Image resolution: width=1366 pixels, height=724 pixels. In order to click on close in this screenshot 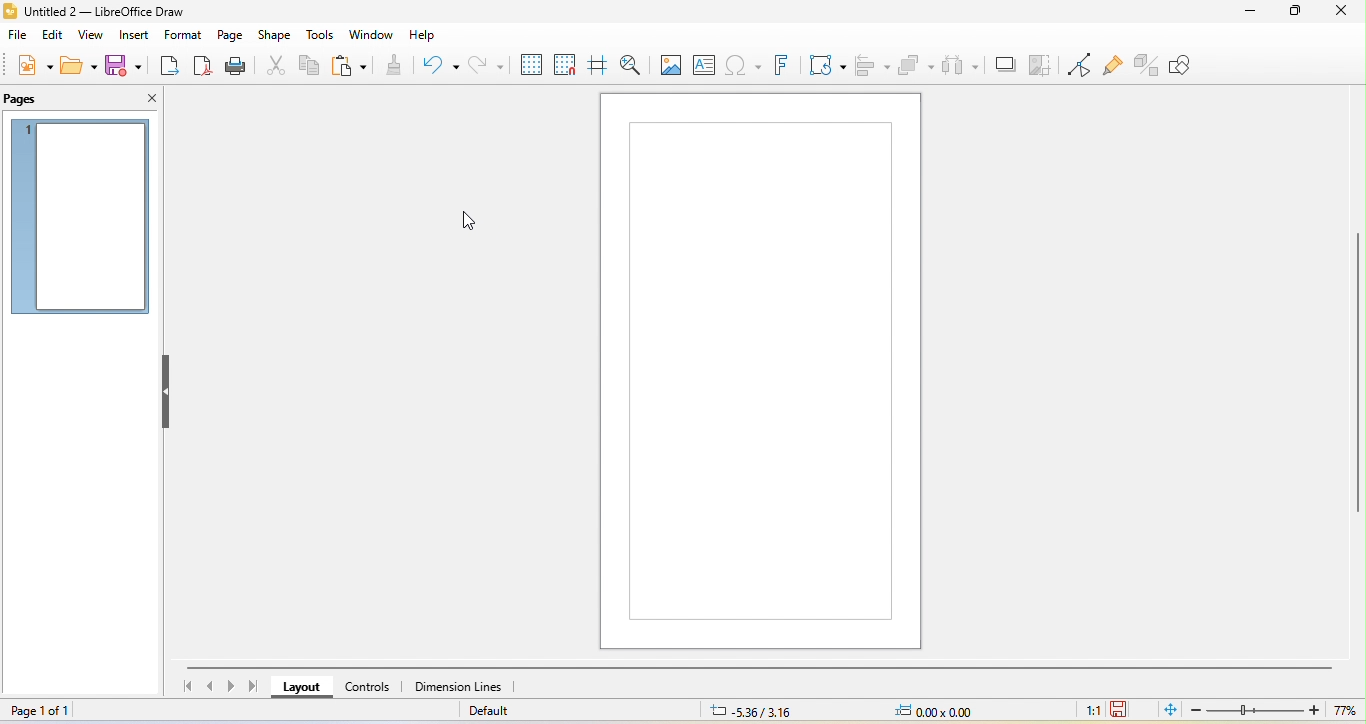, I will do `click(144, 98)`.